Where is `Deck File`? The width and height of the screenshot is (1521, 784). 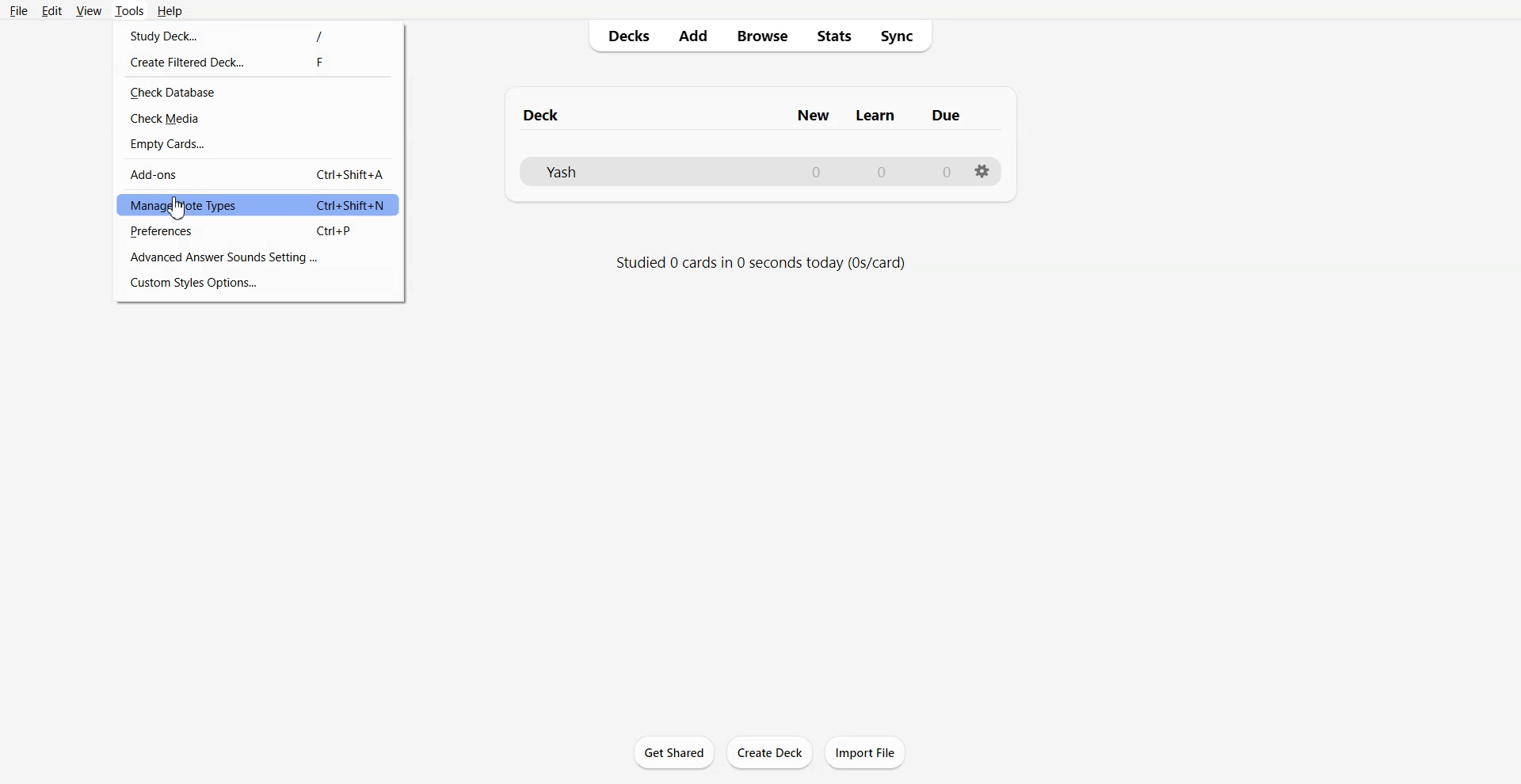
Deck File is located at coordinates (650, 172).